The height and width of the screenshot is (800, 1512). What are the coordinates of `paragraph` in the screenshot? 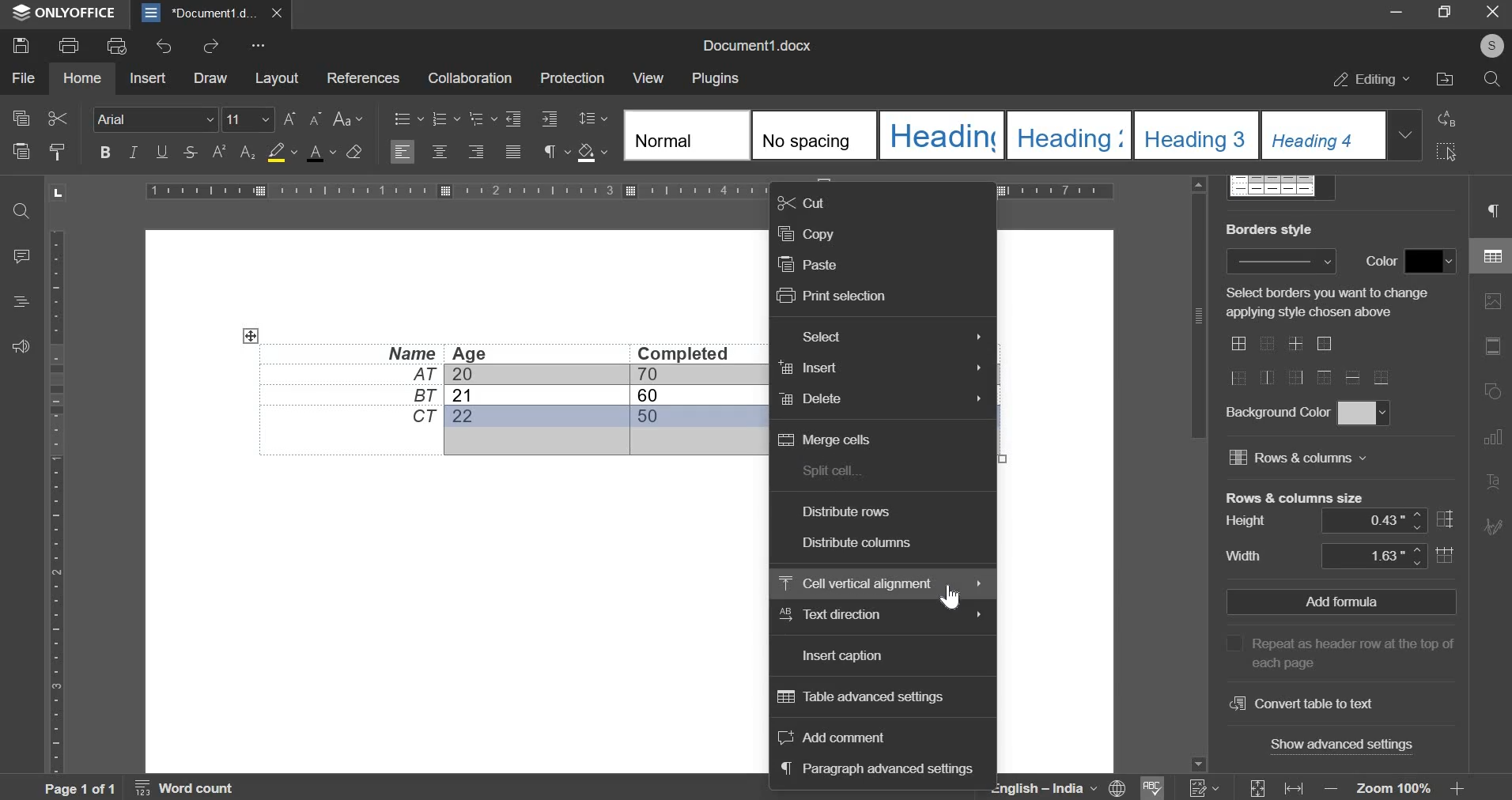 It's located at (1492, 206).